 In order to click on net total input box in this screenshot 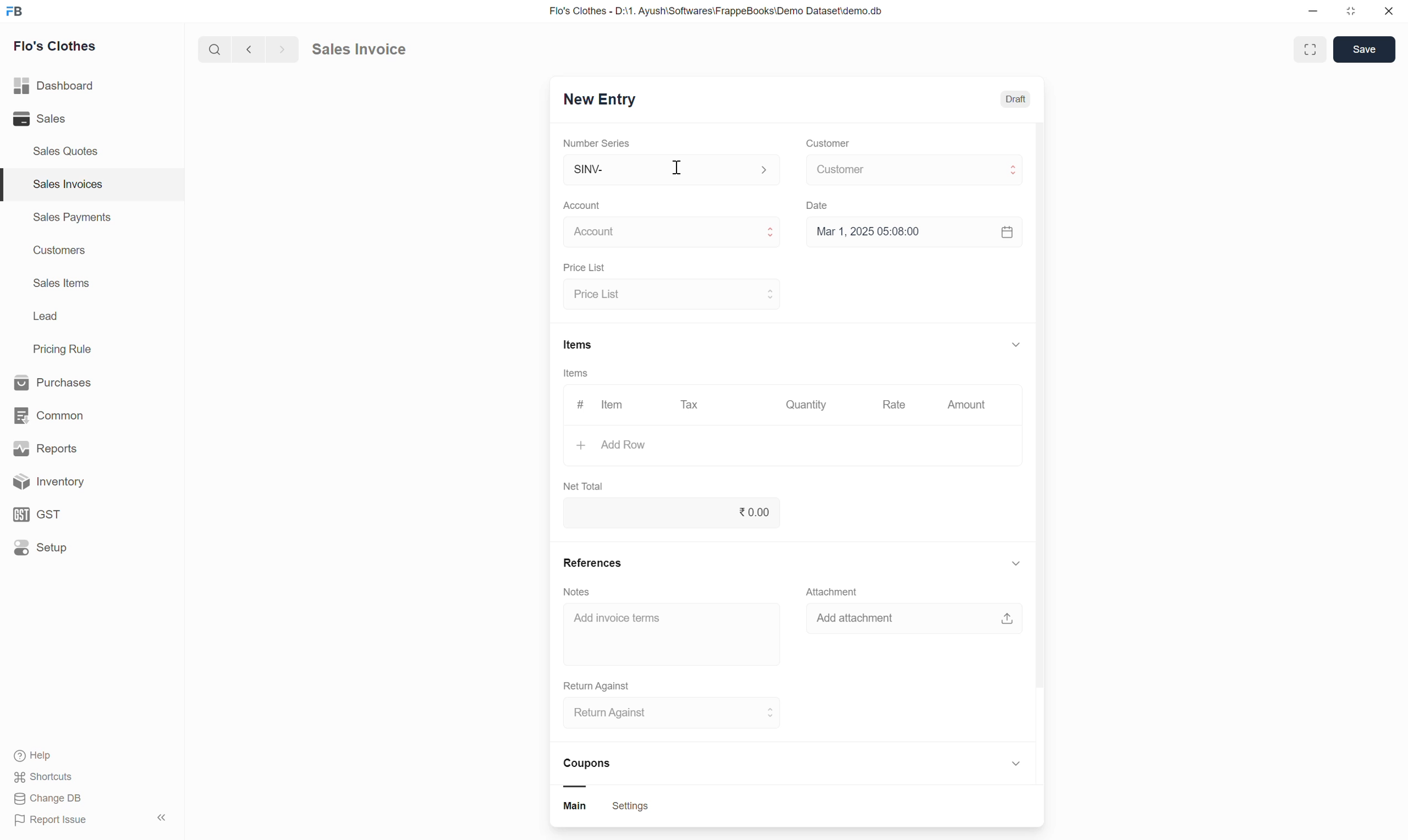, I will do `click(672, 516)`.